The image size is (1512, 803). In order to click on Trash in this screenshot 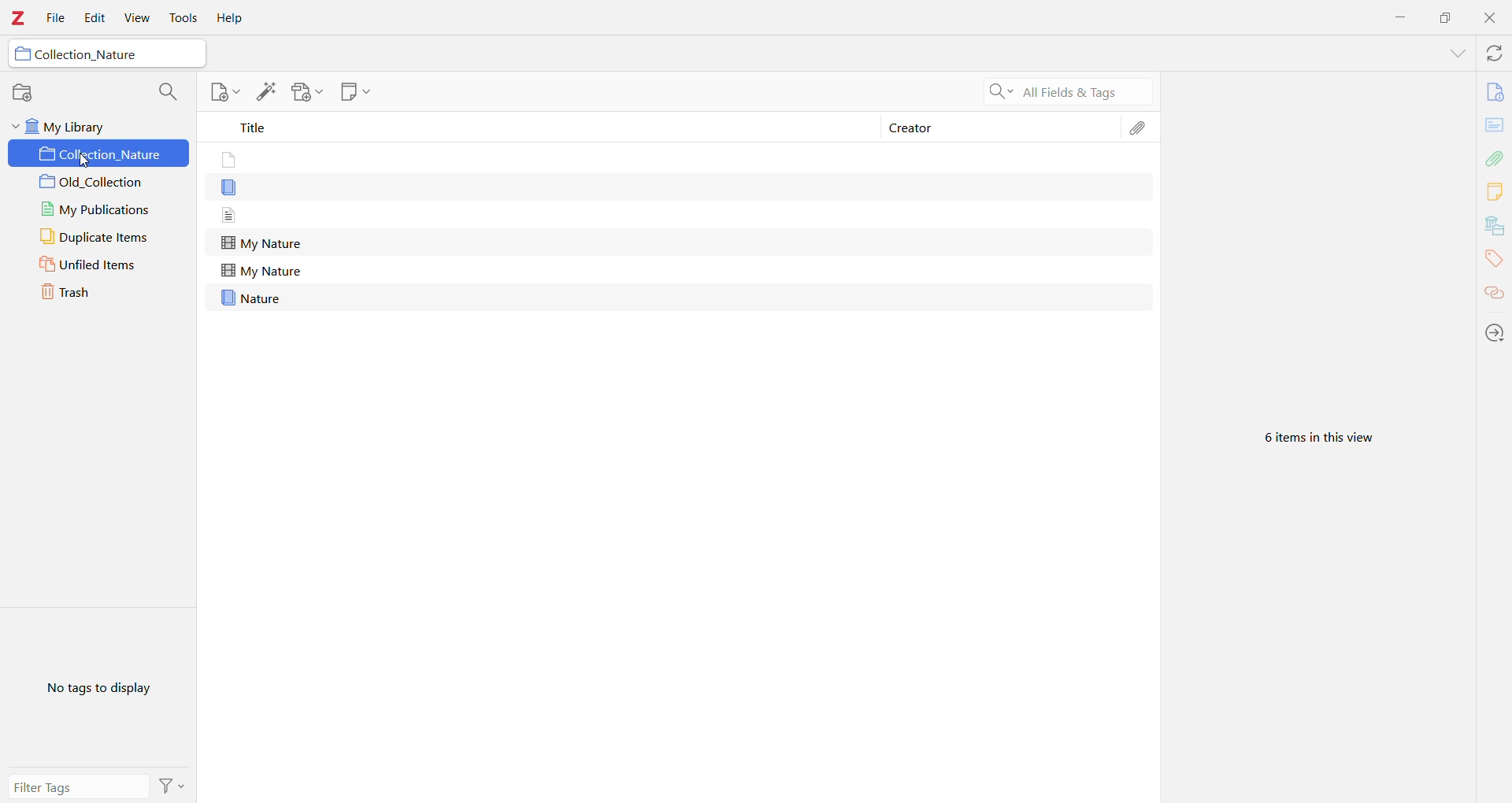, I will do `click(100, 293)`.